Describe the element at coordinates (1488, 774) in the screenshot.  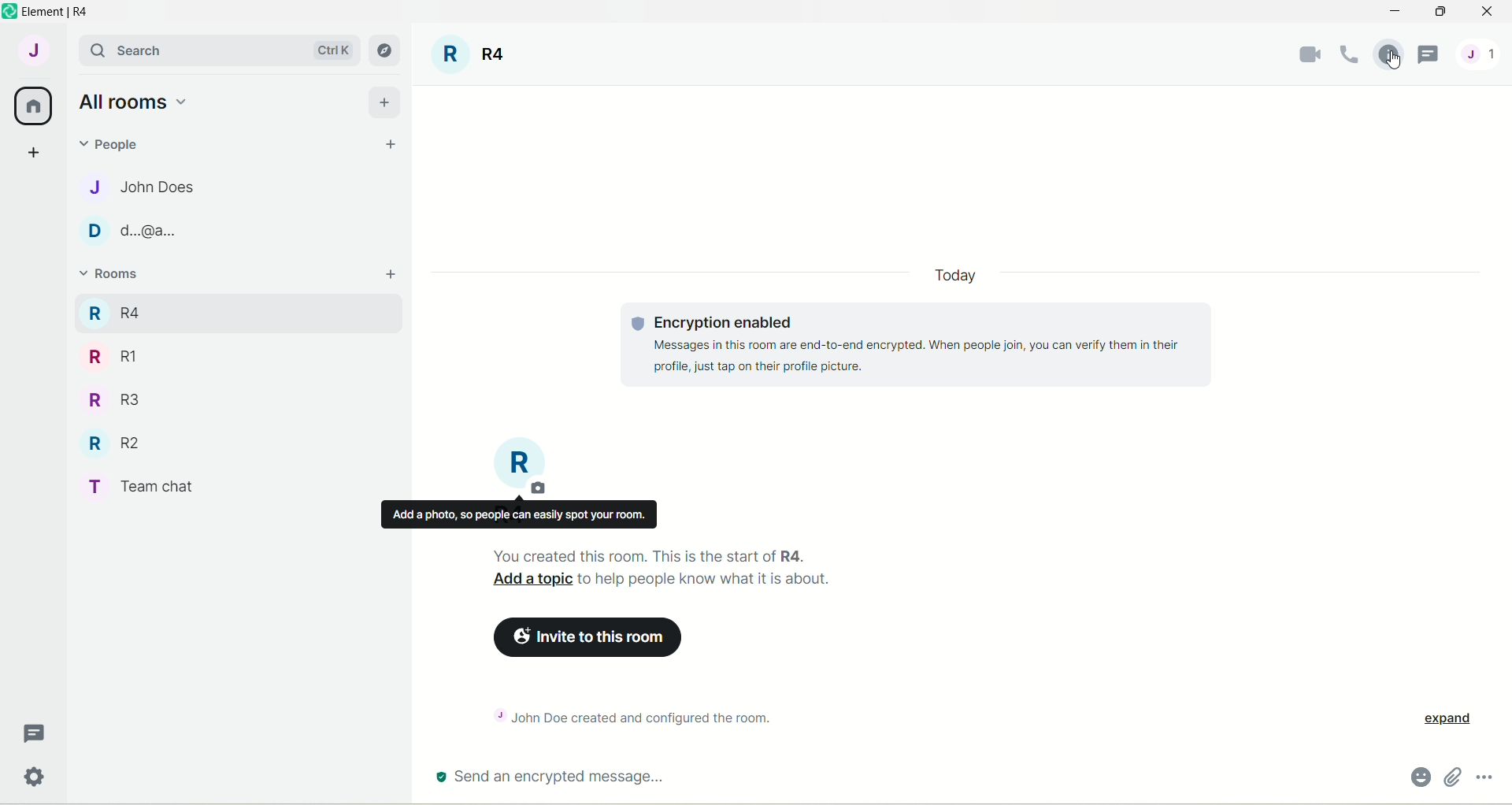
I see `options` at that location.